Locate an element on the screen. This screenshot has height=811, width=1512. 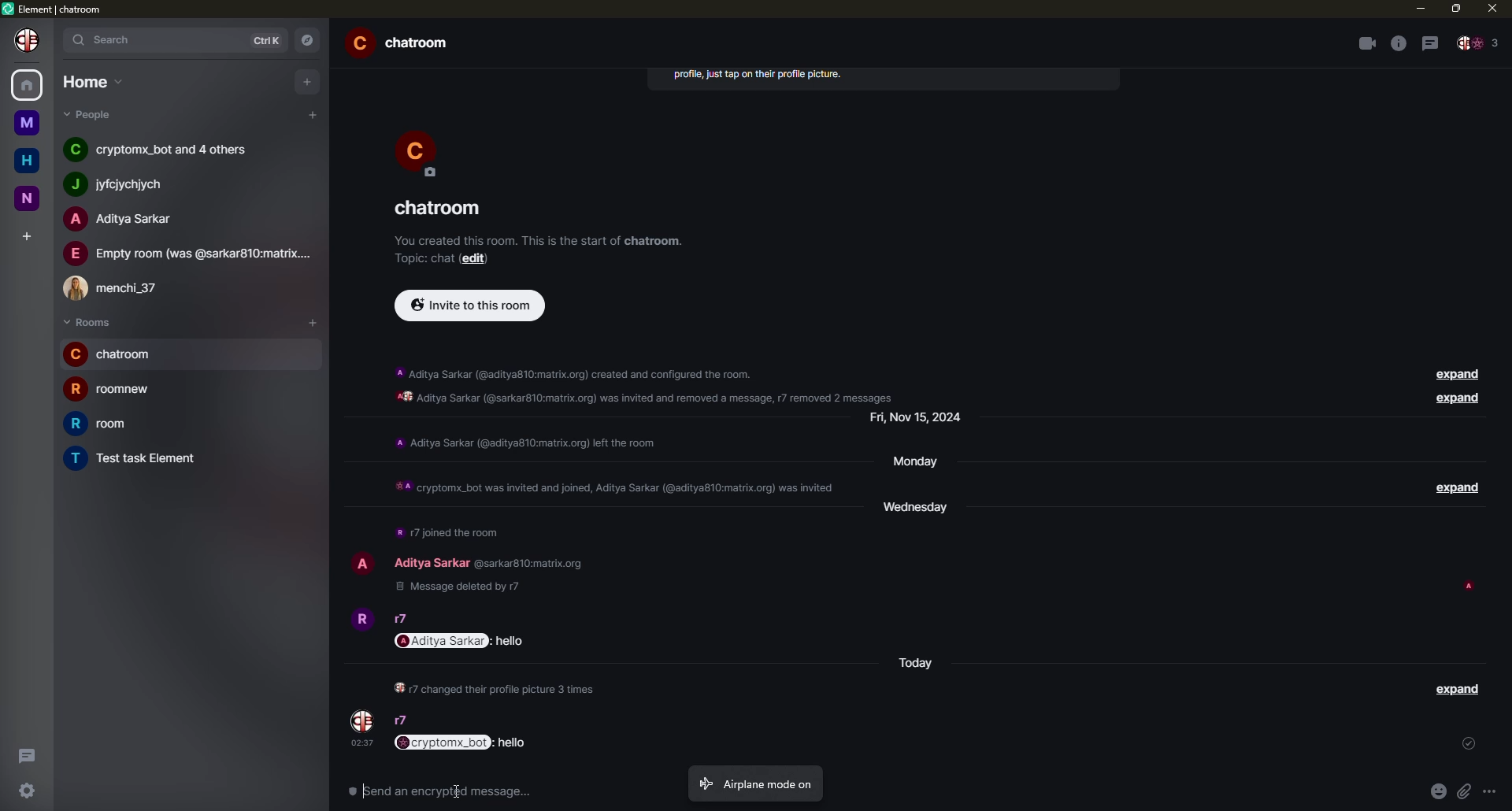
attach is located at coordinates (1466, 792).